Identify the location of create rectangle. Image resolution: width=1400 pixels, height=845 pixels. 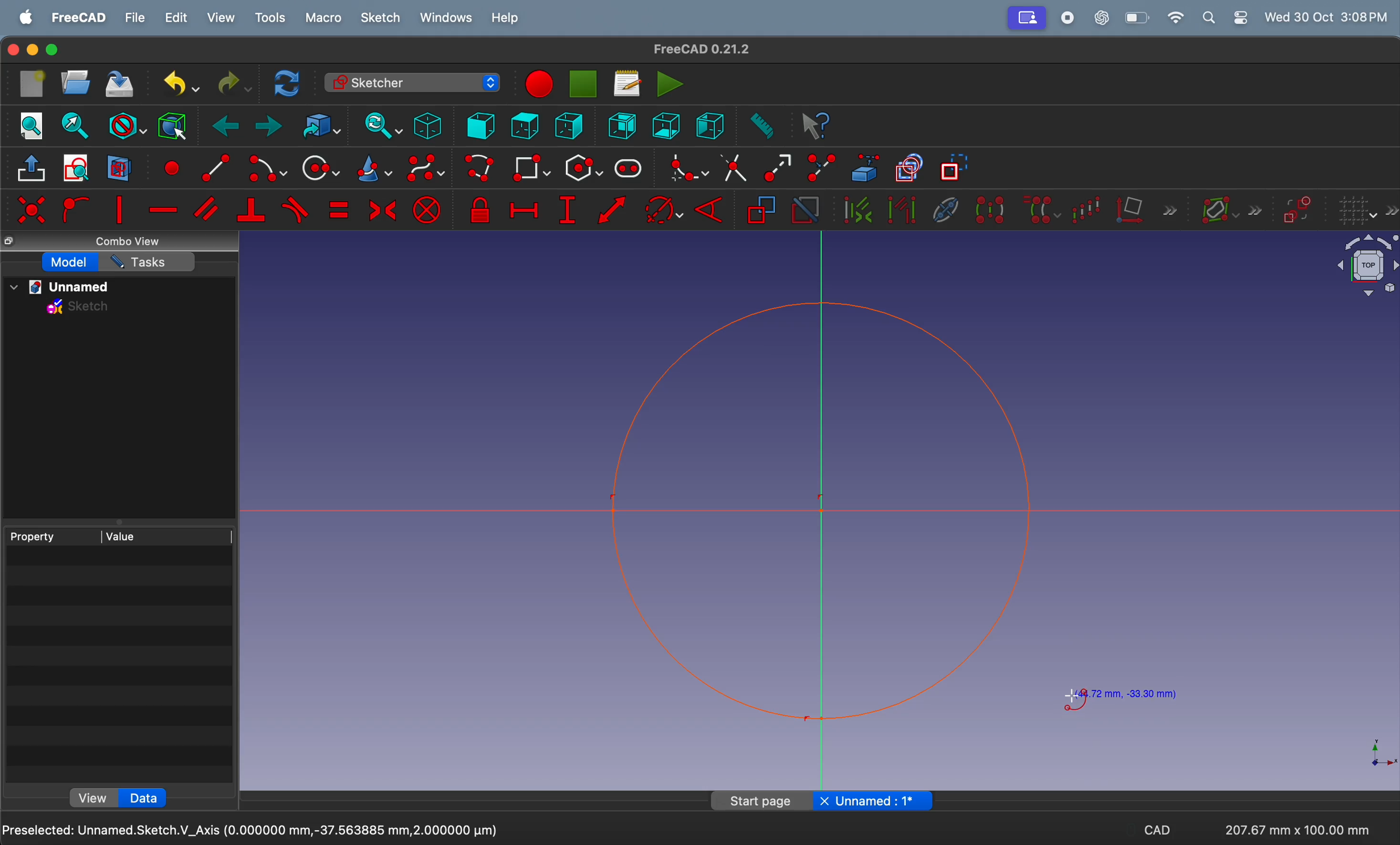
(531, 168).